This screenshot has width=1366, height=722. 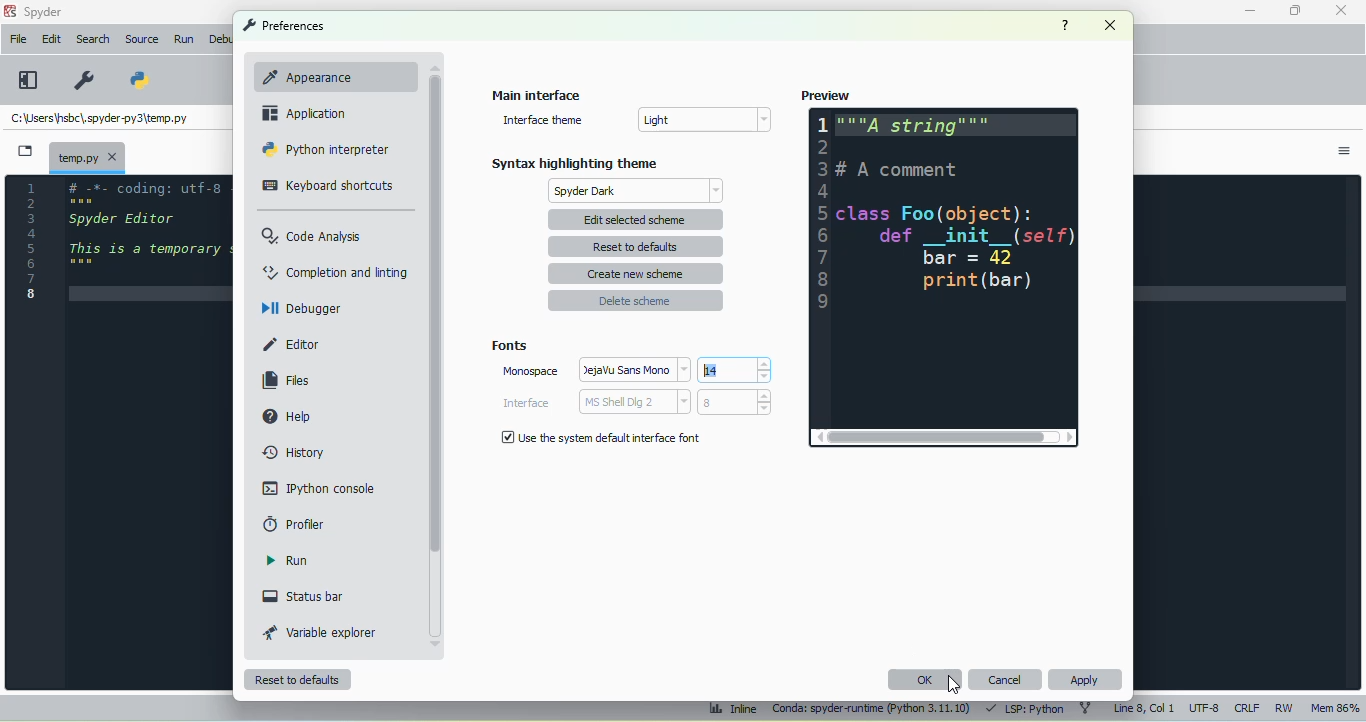 I want to click on maximize current pane, so click(x=29, y=80).